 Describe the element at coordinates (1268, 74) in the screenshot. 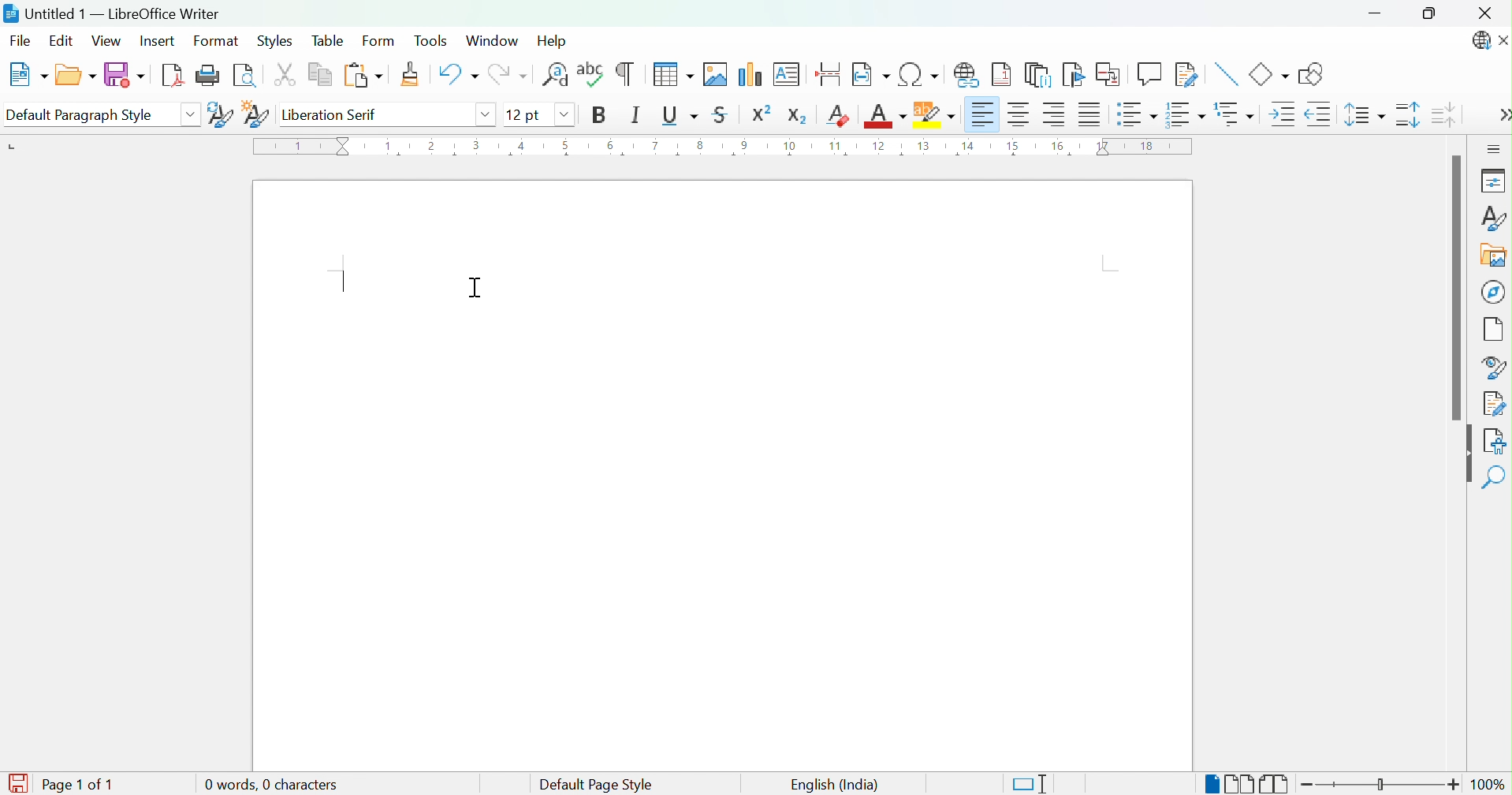

I see `Basic Shapes` at that location.